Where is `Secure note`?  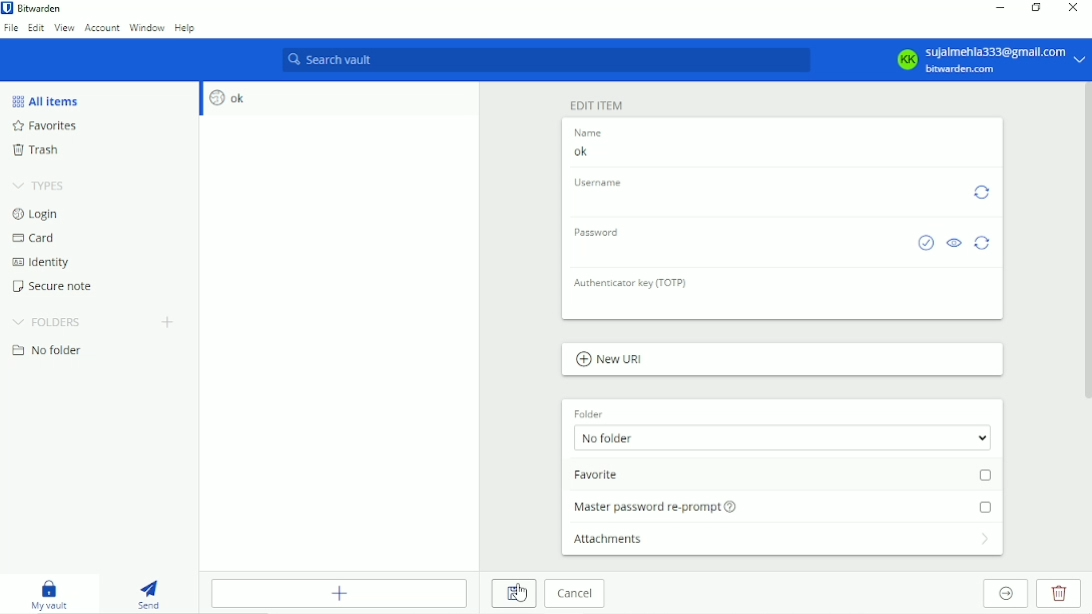
Secure note is located at coordinates (55, 286).